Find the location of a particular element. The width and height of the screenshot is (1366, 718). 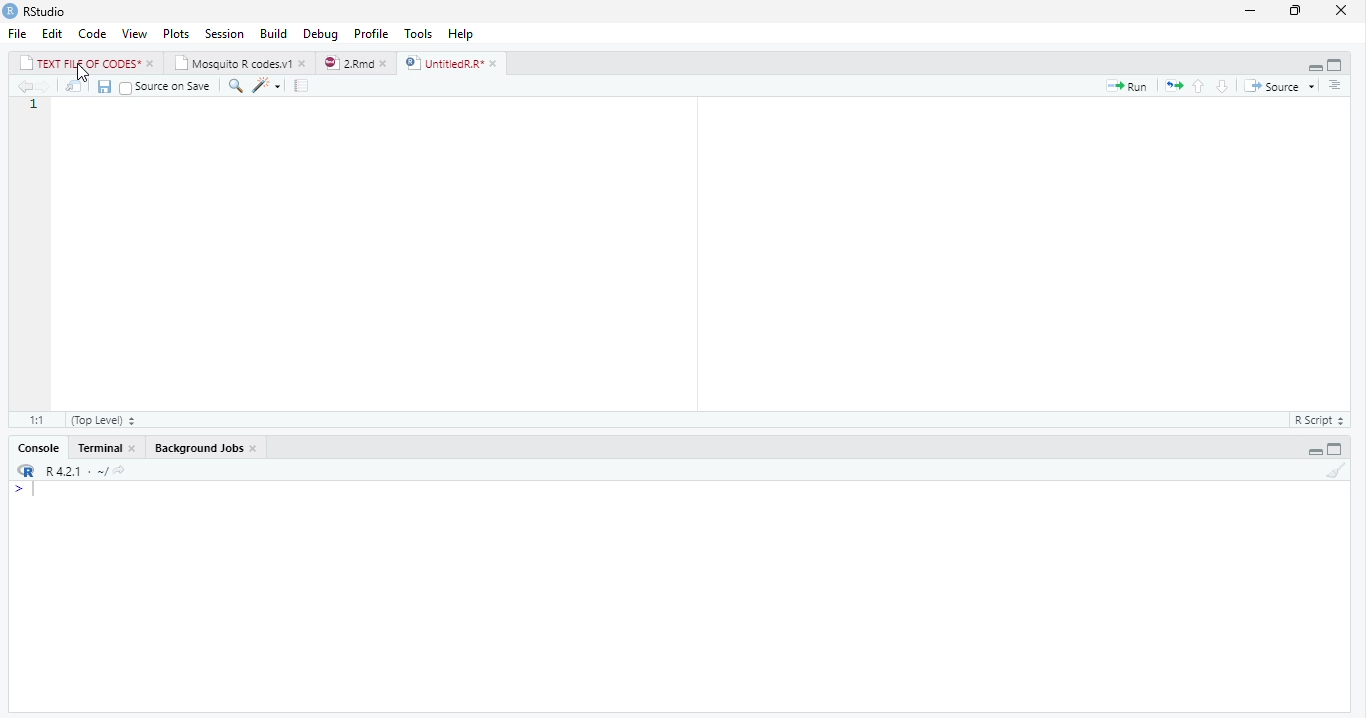

Source is located at coordinates (1274, 87).